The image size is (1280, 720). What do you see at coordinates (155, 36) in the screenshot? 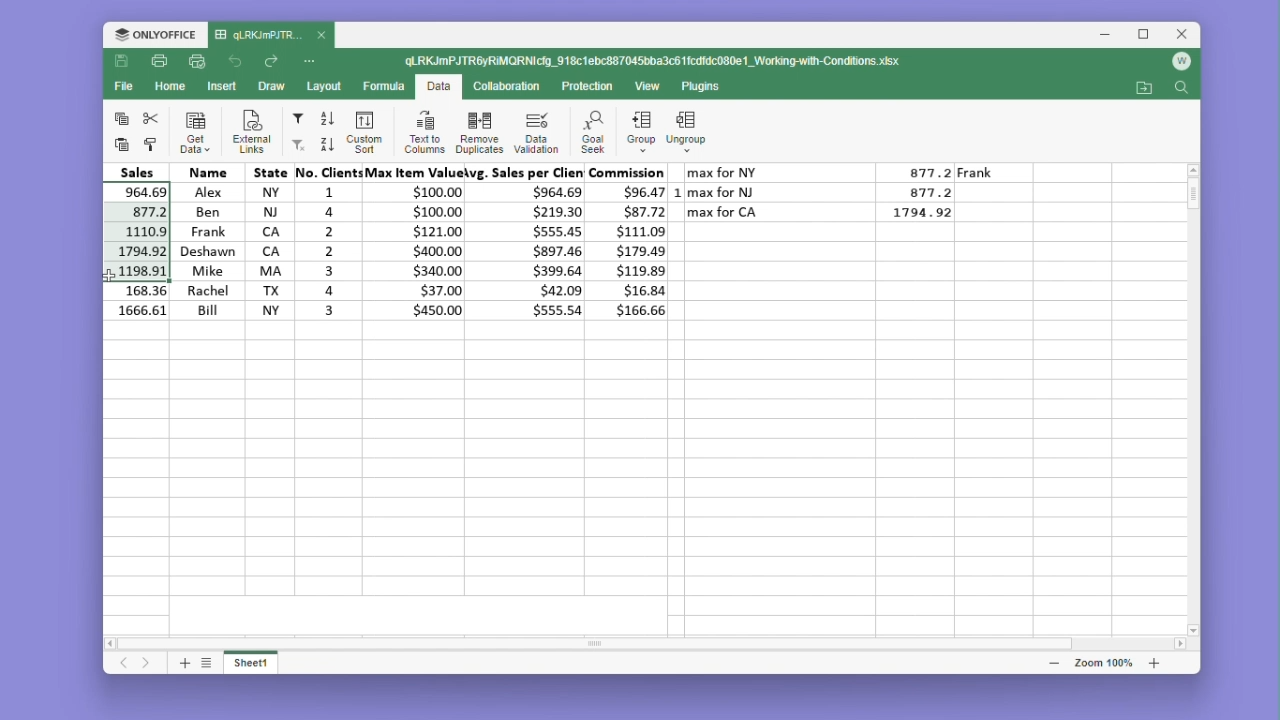
I see `Only office logo` at bounding box center [155, 36].